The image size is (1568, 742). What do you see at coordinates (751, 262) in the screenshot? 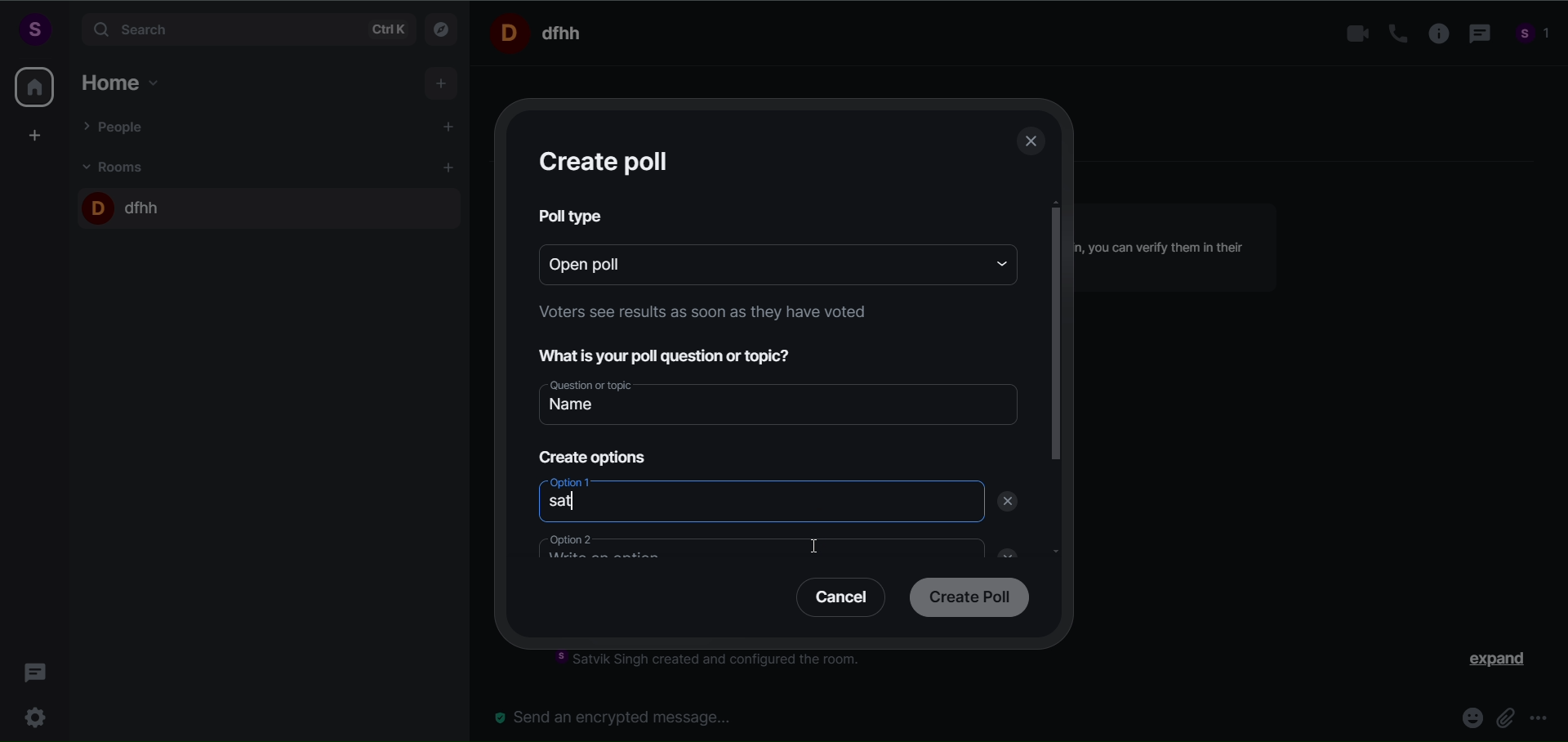
I see `open poll` at bounding box center [751, 262].